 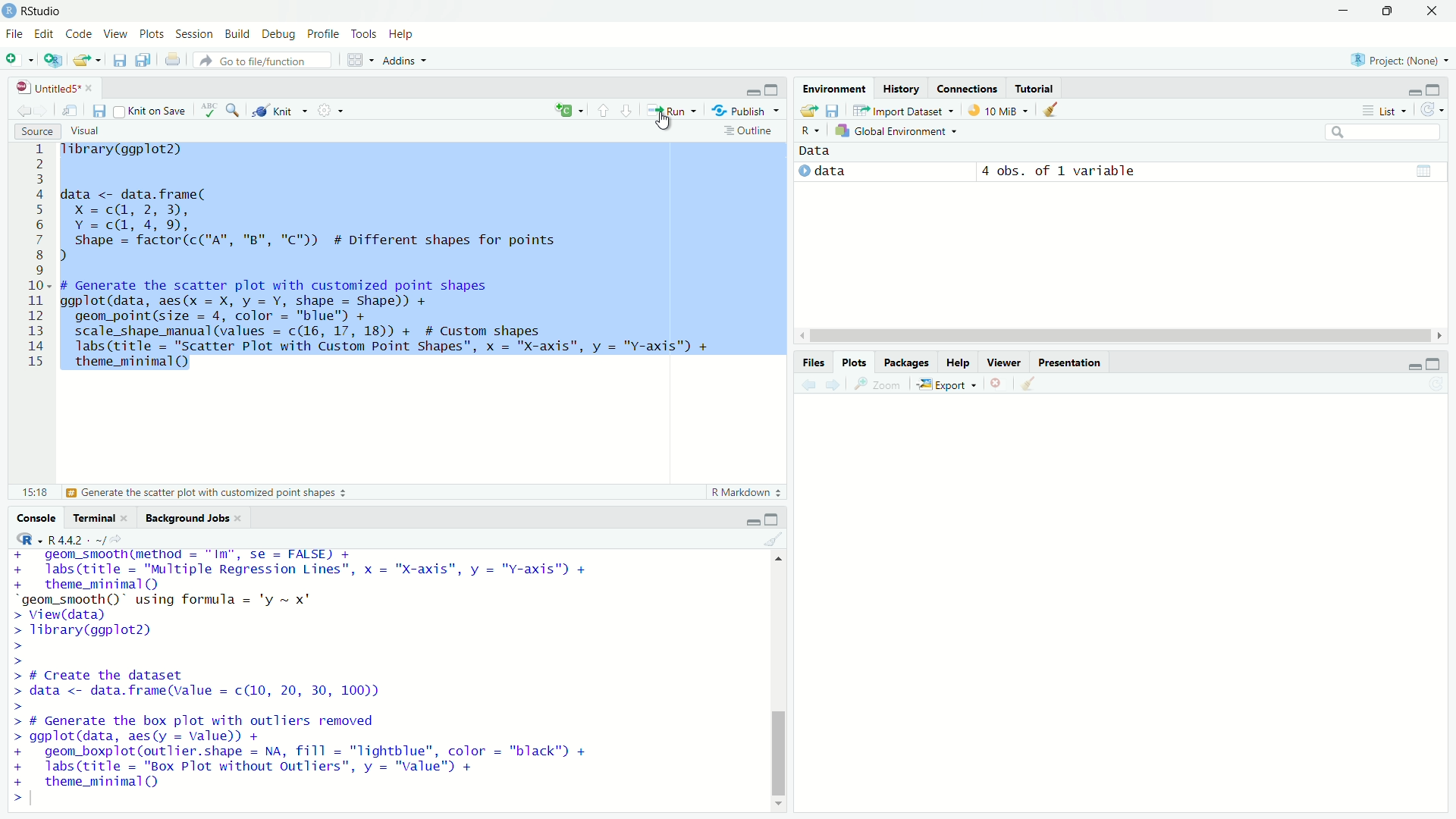 What do you see at coordinates (604, 110) in the screenshot?
I see `Go to previous section/chunk` at bounding box center [604, 110].